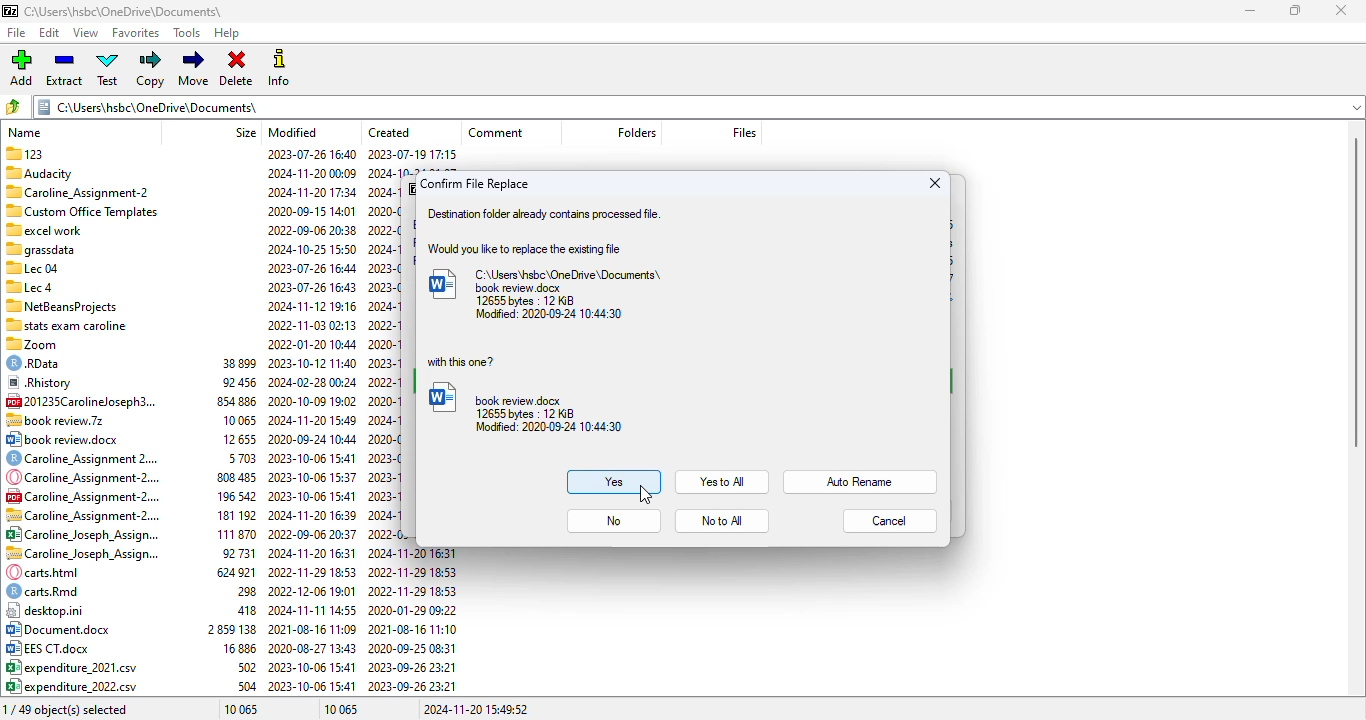 The image size is (1366, 720). What do you see at coordinates (1356, 292) in the screenshot?
I see `vertical scroll bar` at bounding box center [1356, 292].